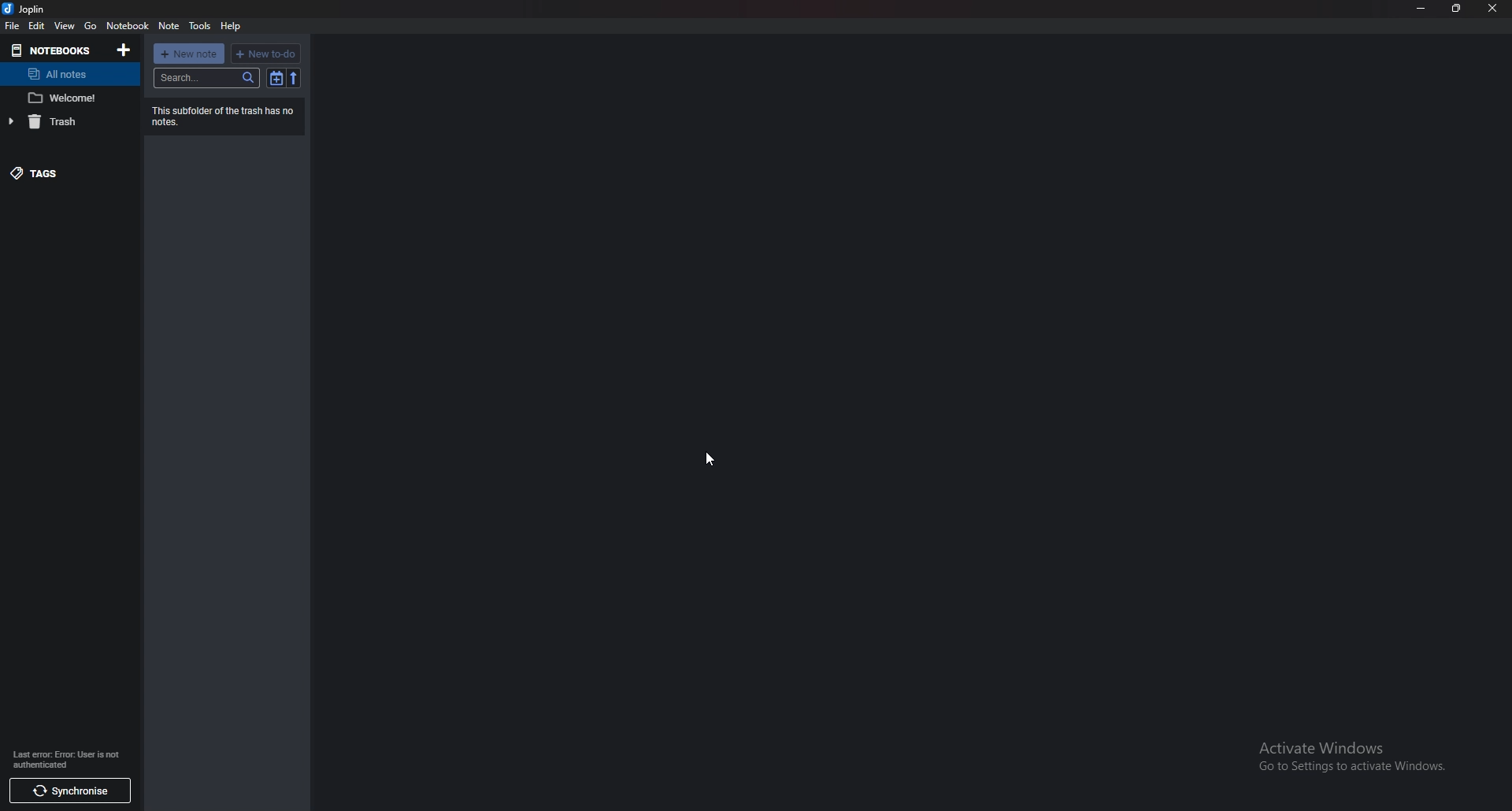 This screenshot has height=811, width=1512. I want to click on edit, so click(36, 26).